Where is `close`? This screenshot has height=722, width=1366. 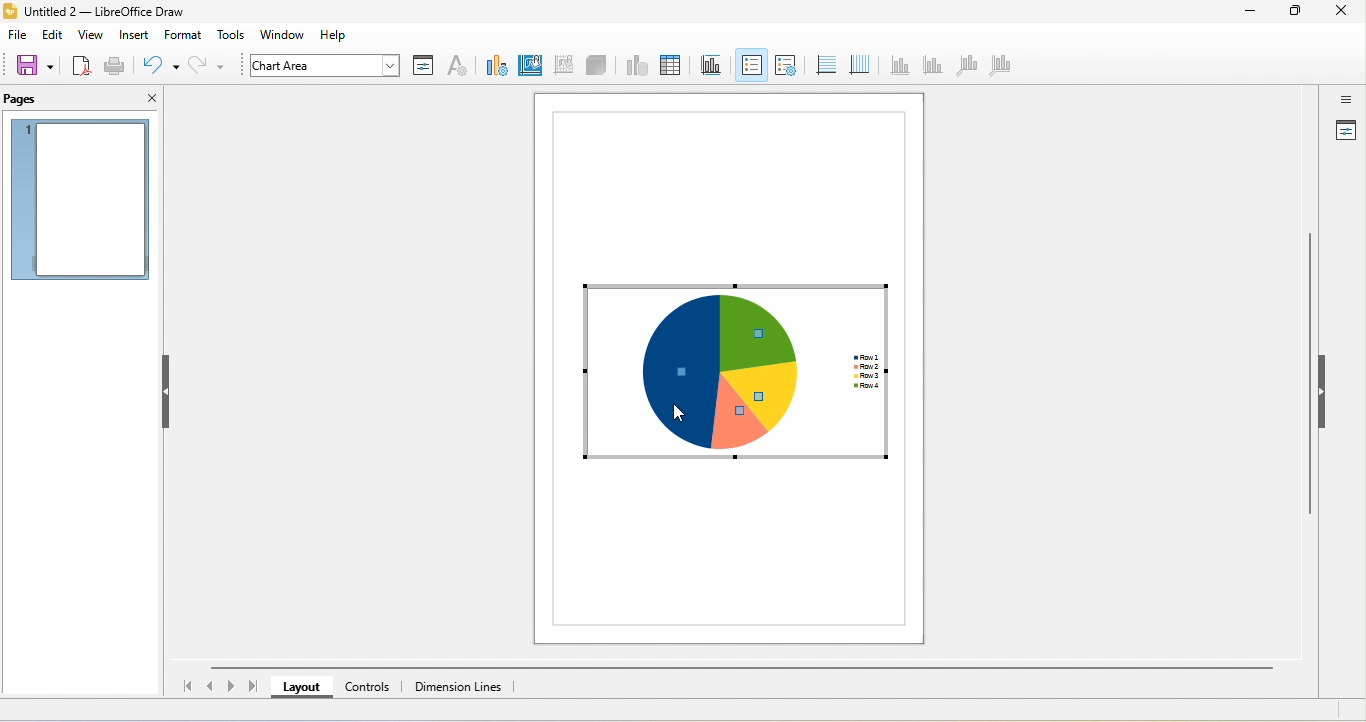
close is located at coordinates (148, 99).